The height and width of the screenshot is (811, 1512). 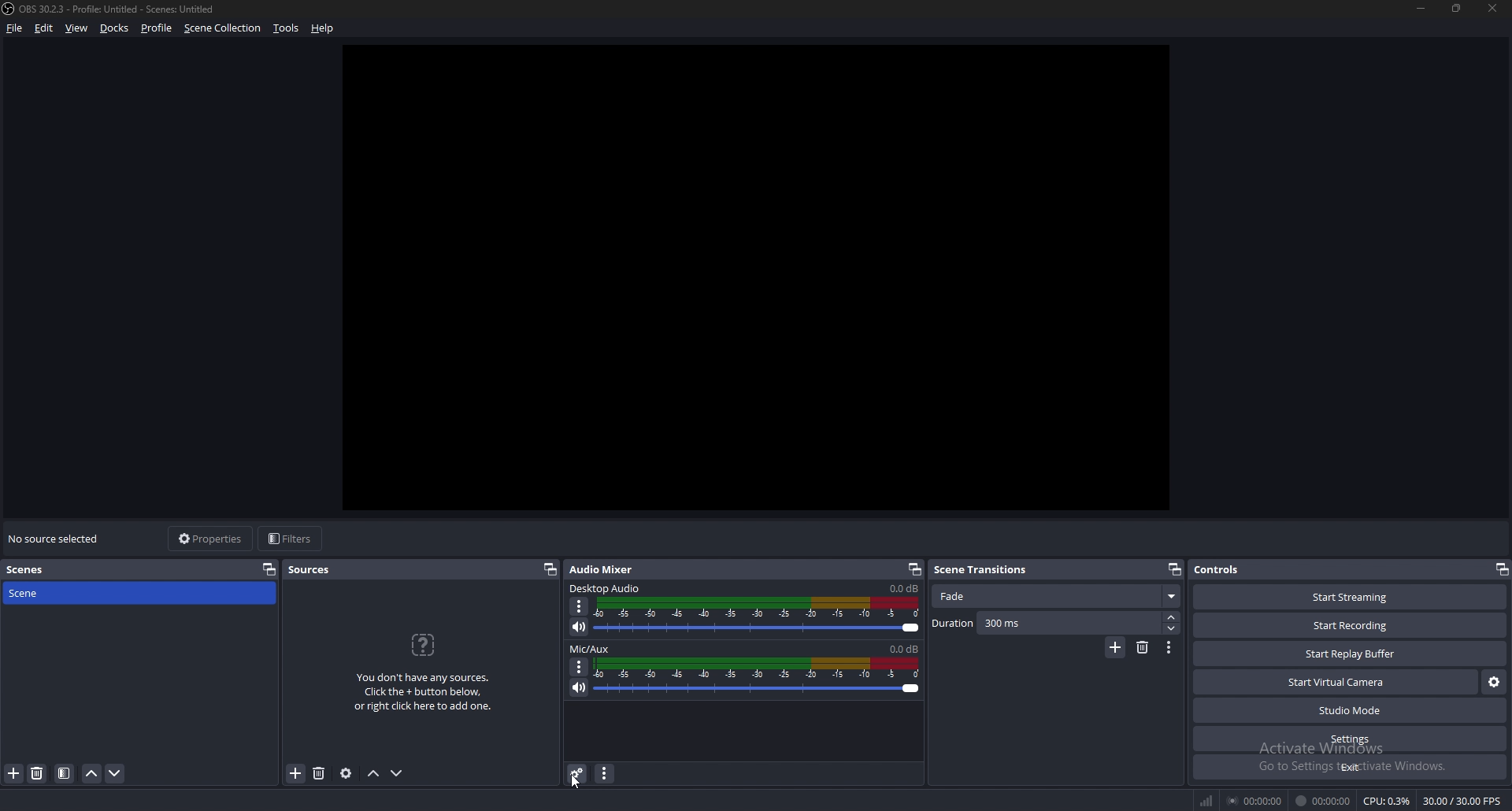 I want to click on start virtual camera, so click(x=1336, y=683).